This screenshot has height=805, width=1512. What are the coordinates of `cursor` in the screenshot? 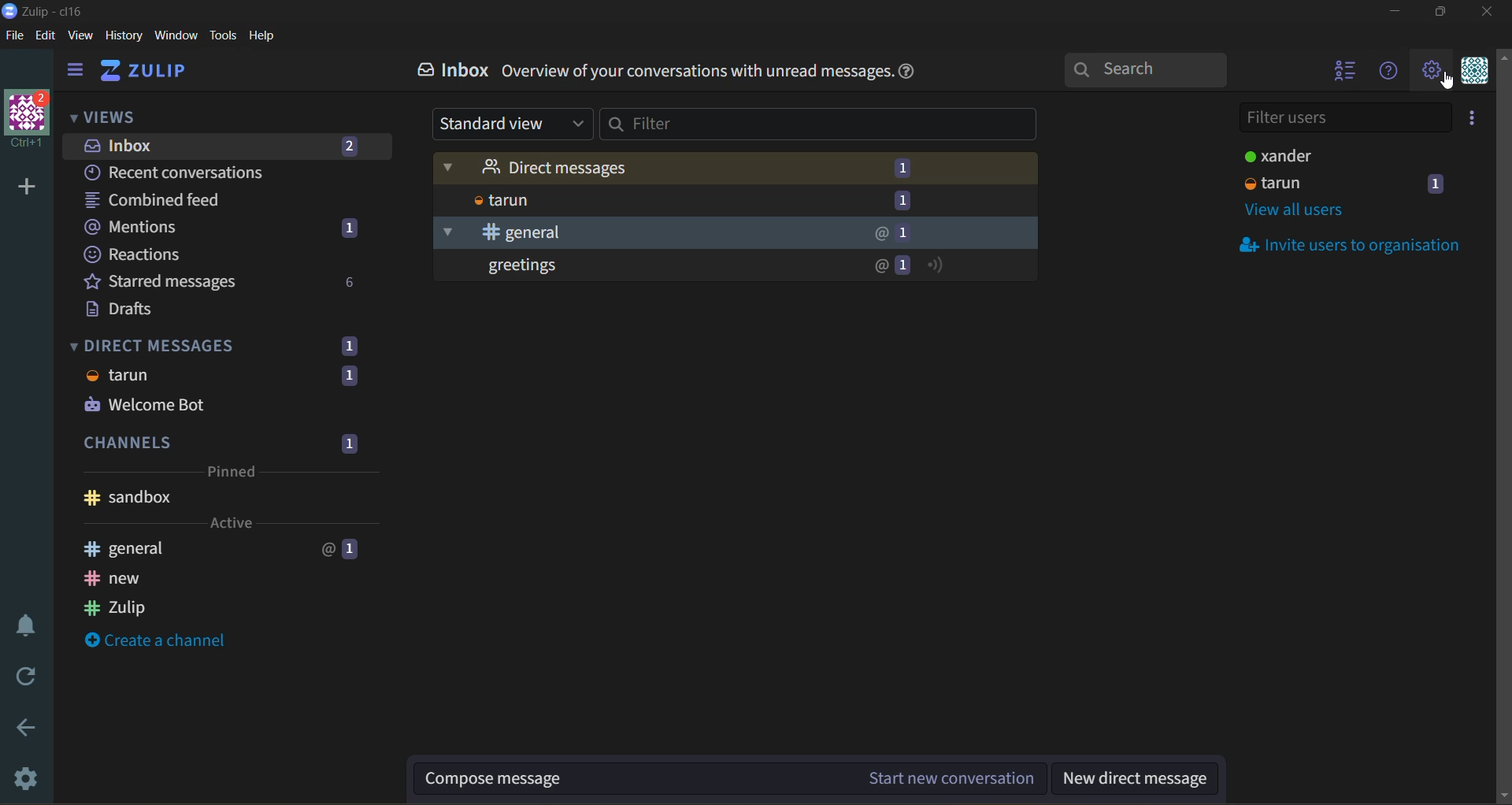 It's located at (1452, 81).